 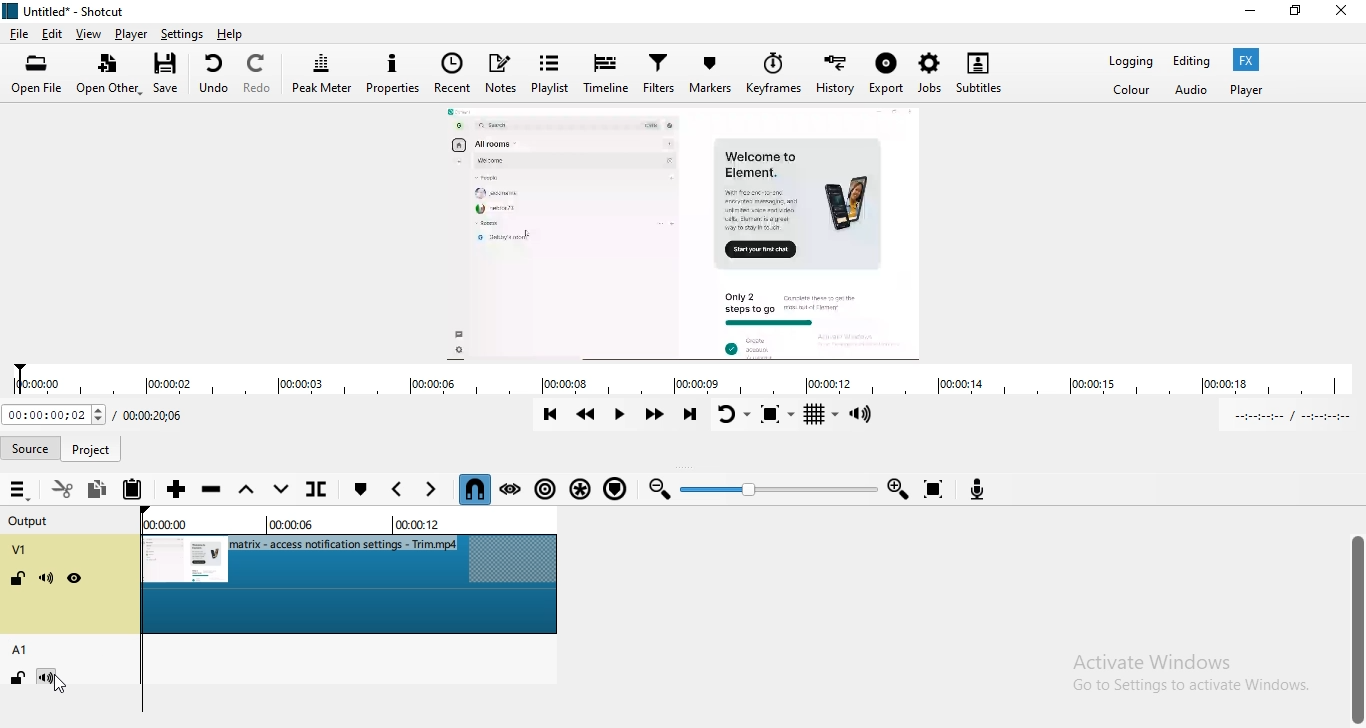 I want to click on Fx, so click(x=1246, y=59).